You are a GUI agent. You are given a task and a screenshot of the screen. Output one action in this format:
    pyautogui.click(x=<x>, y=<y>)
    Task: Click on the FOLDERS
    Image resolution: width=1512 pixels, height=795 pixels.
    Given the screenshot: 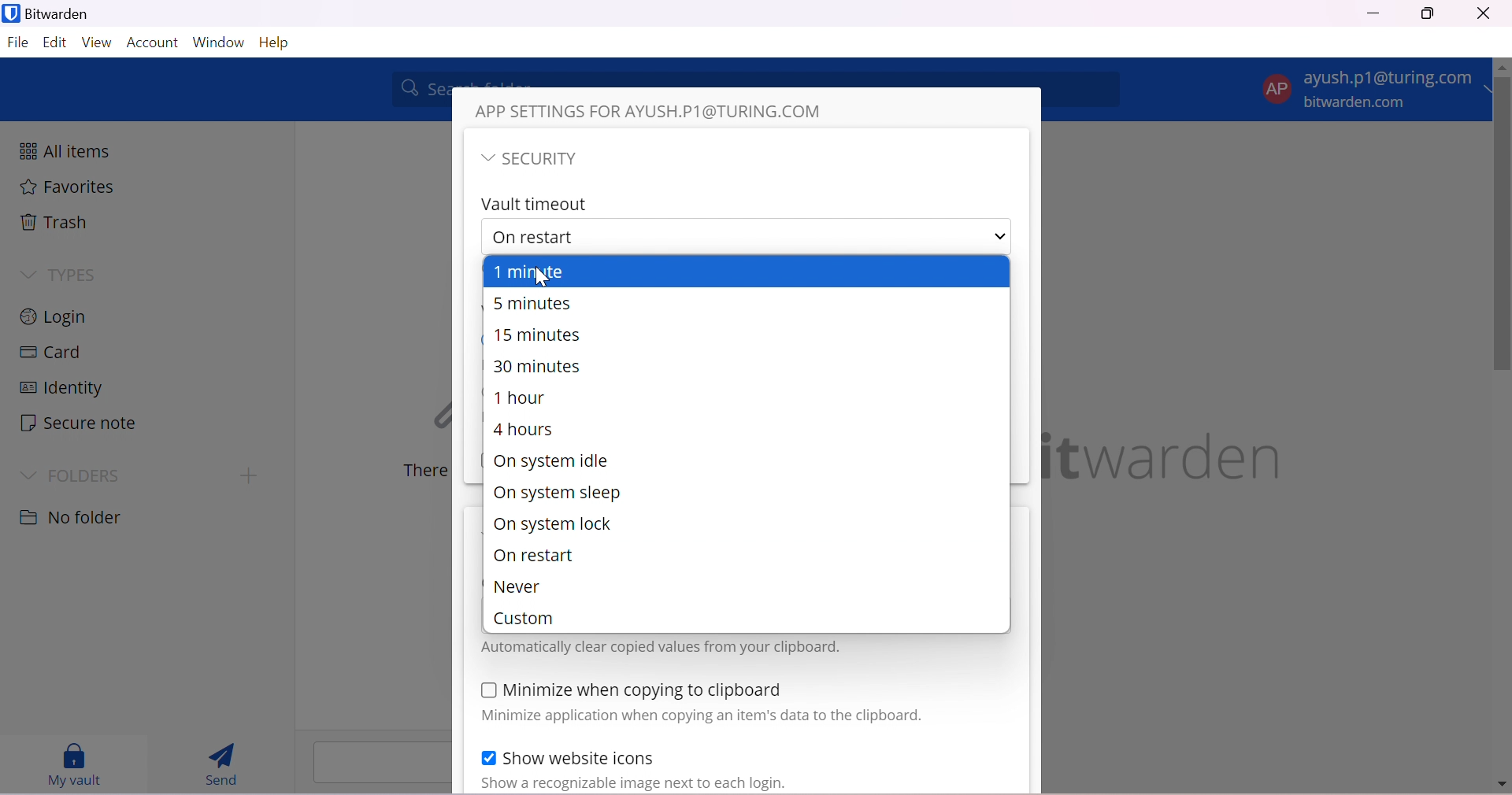 What is the action you would take?
    pyautogui.click(x=87, y=475)
    